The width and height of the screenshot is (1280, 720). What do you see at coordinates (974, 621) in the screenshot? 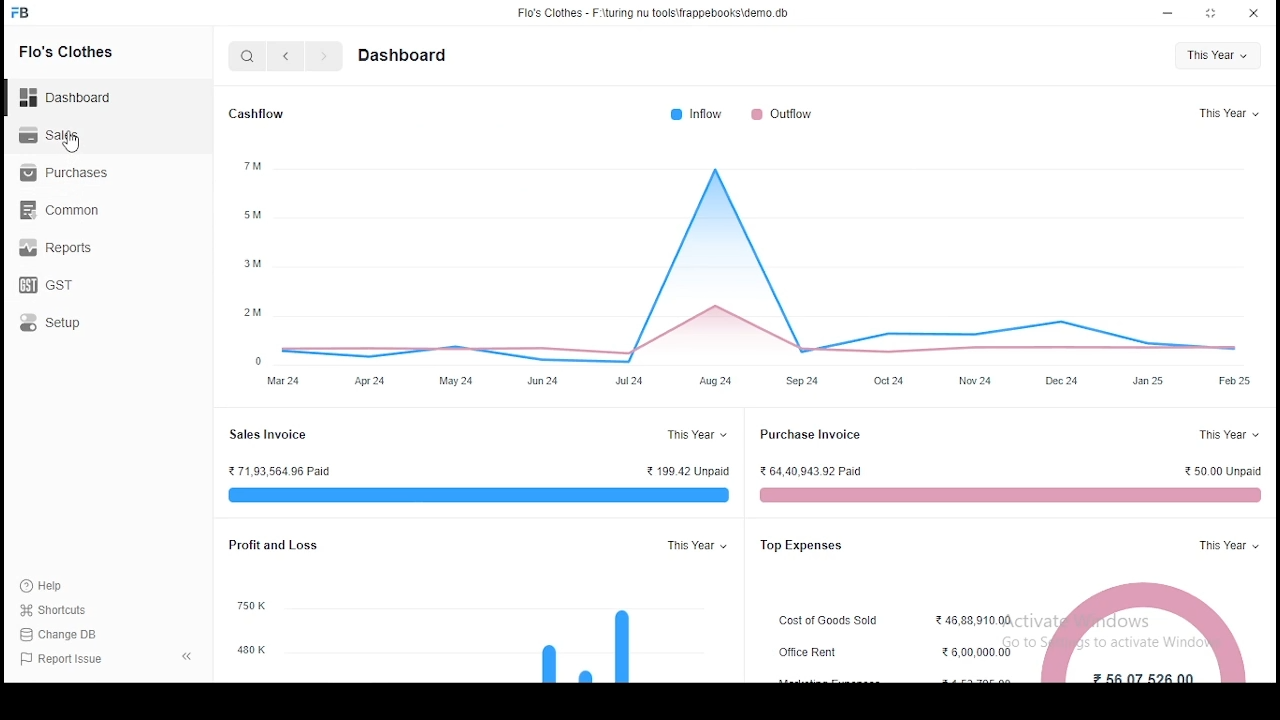
I see `46,88,910.00` at bounding box center [974, 621].